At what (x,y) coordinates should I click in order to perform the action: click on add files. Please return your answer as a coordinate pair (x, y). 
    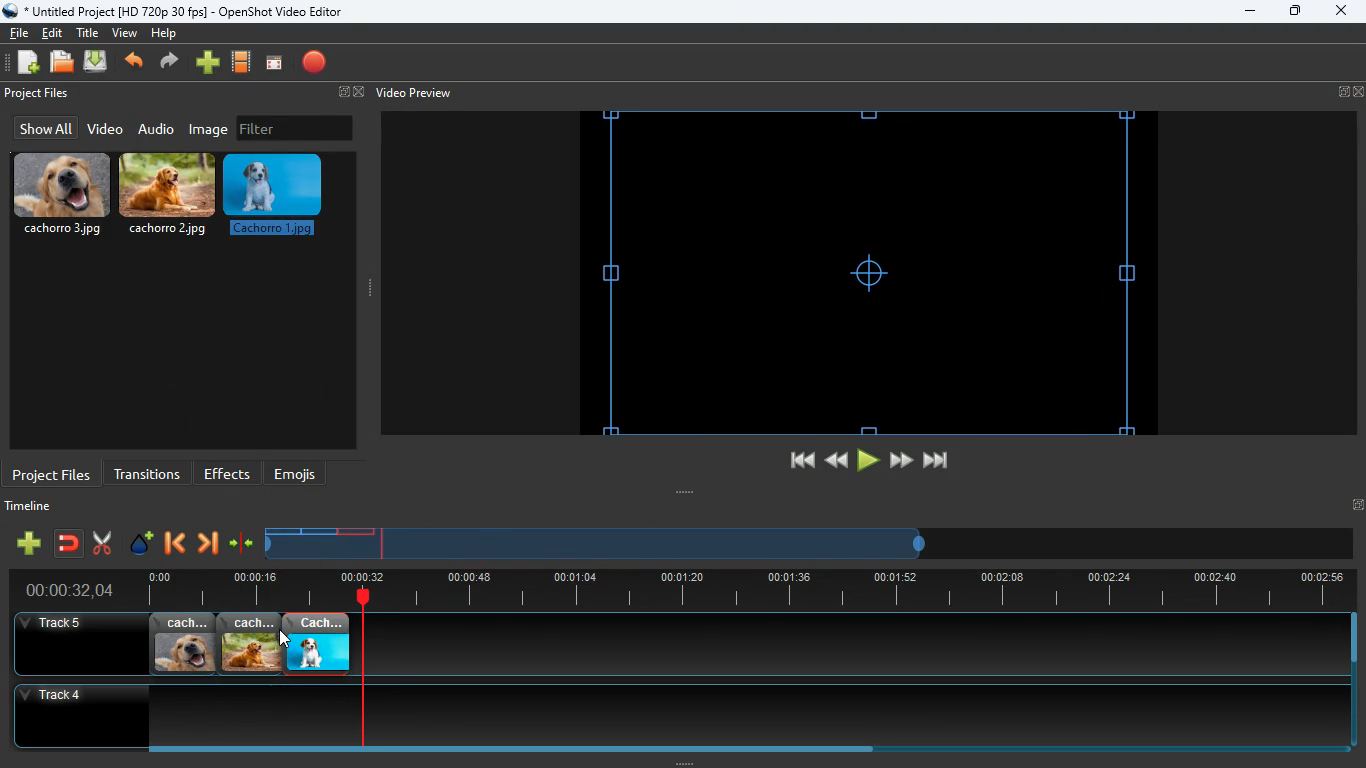
    Looking at the image, I should click on (30, 65).